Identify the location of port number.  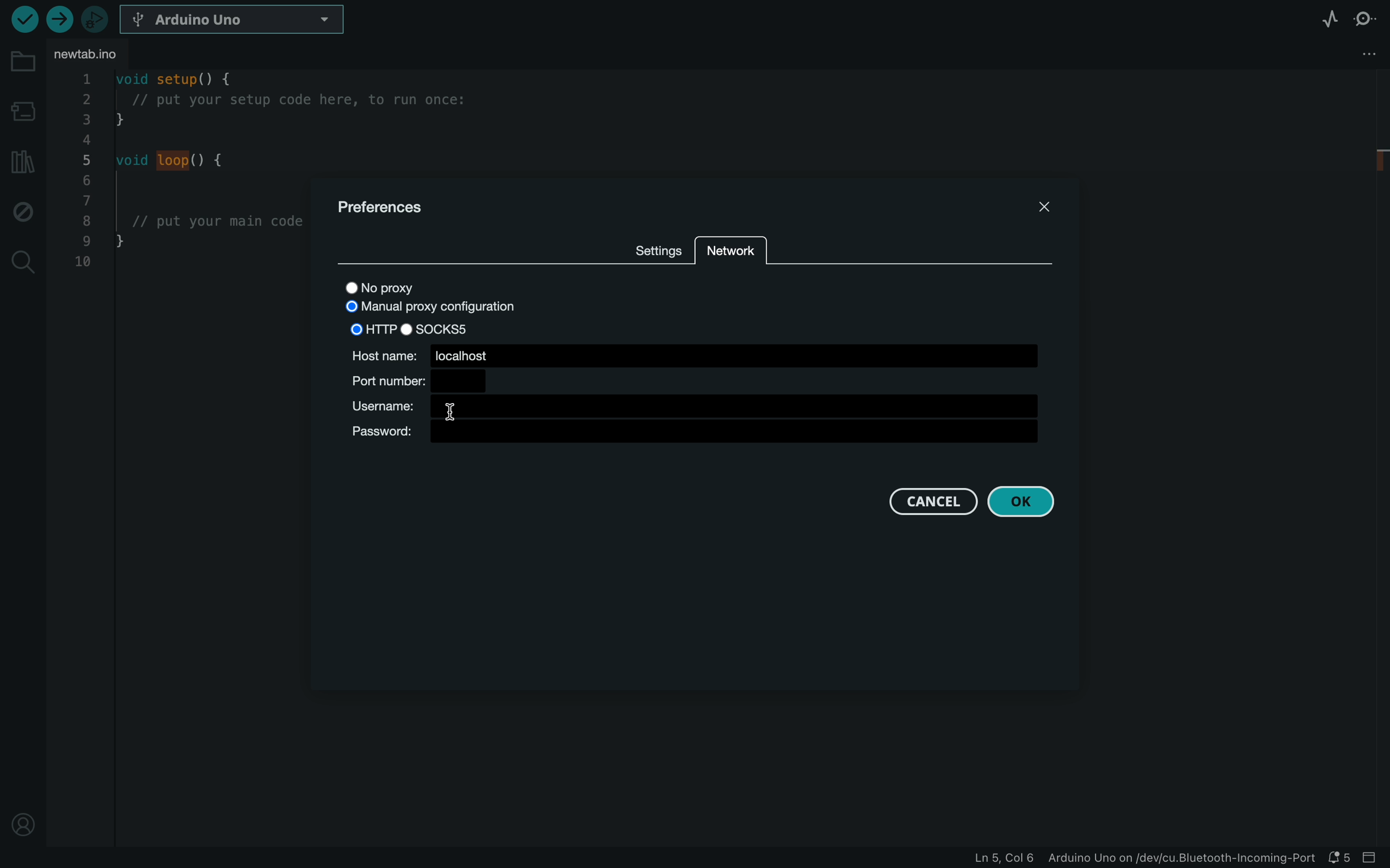
(418, 381).